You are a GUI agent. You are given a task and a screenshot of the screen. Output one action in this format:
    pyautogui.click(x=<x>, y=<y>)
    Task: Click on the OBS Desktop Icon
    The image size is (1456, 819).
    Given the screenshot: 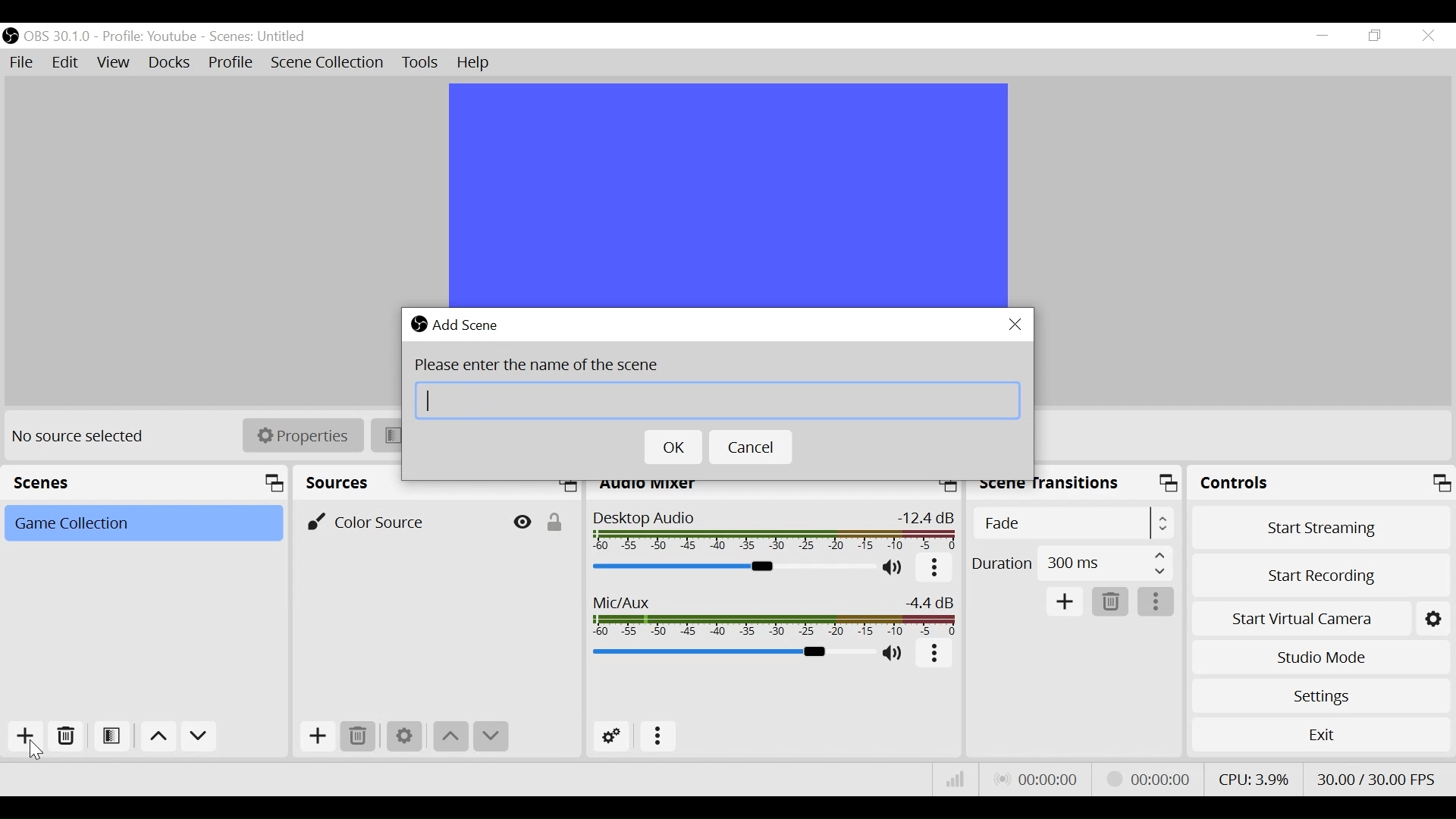 What is the action you would take?
    pyautogui.click(x=10, y=36)
    